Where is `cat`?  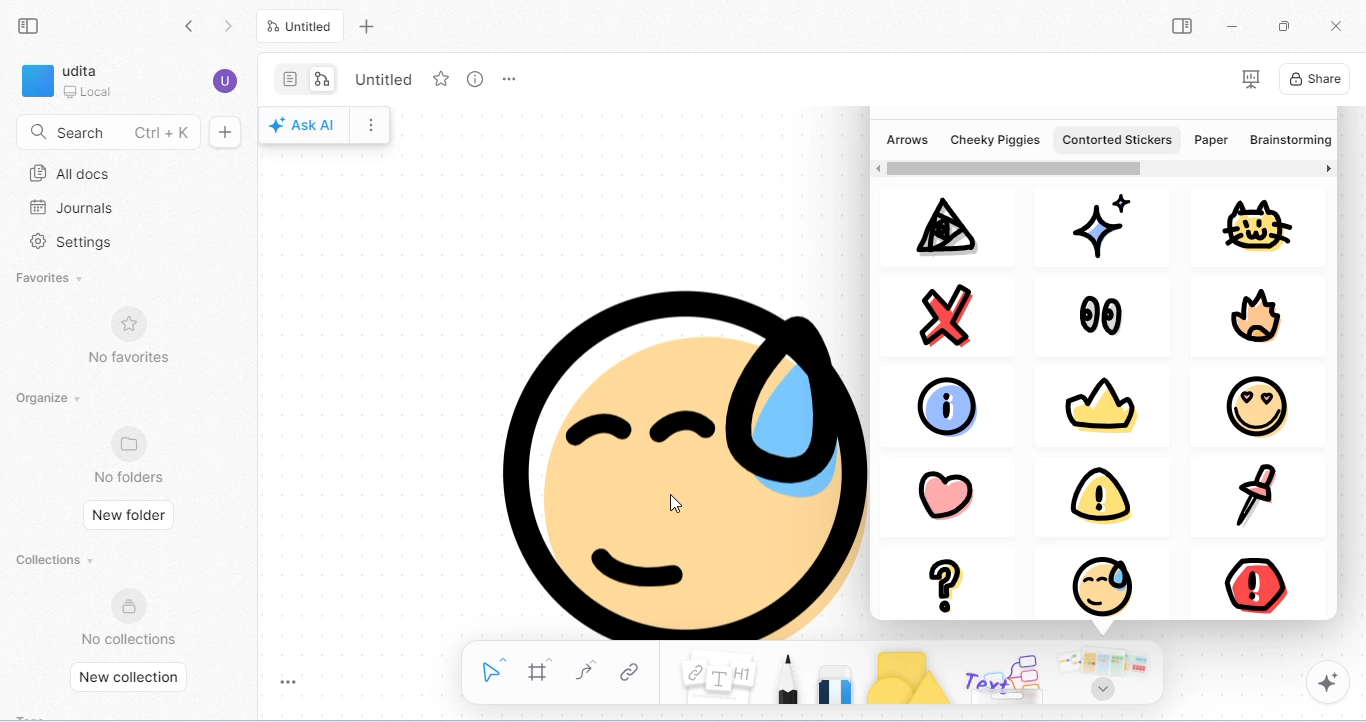
cat is located at coordinates (1258, 225).